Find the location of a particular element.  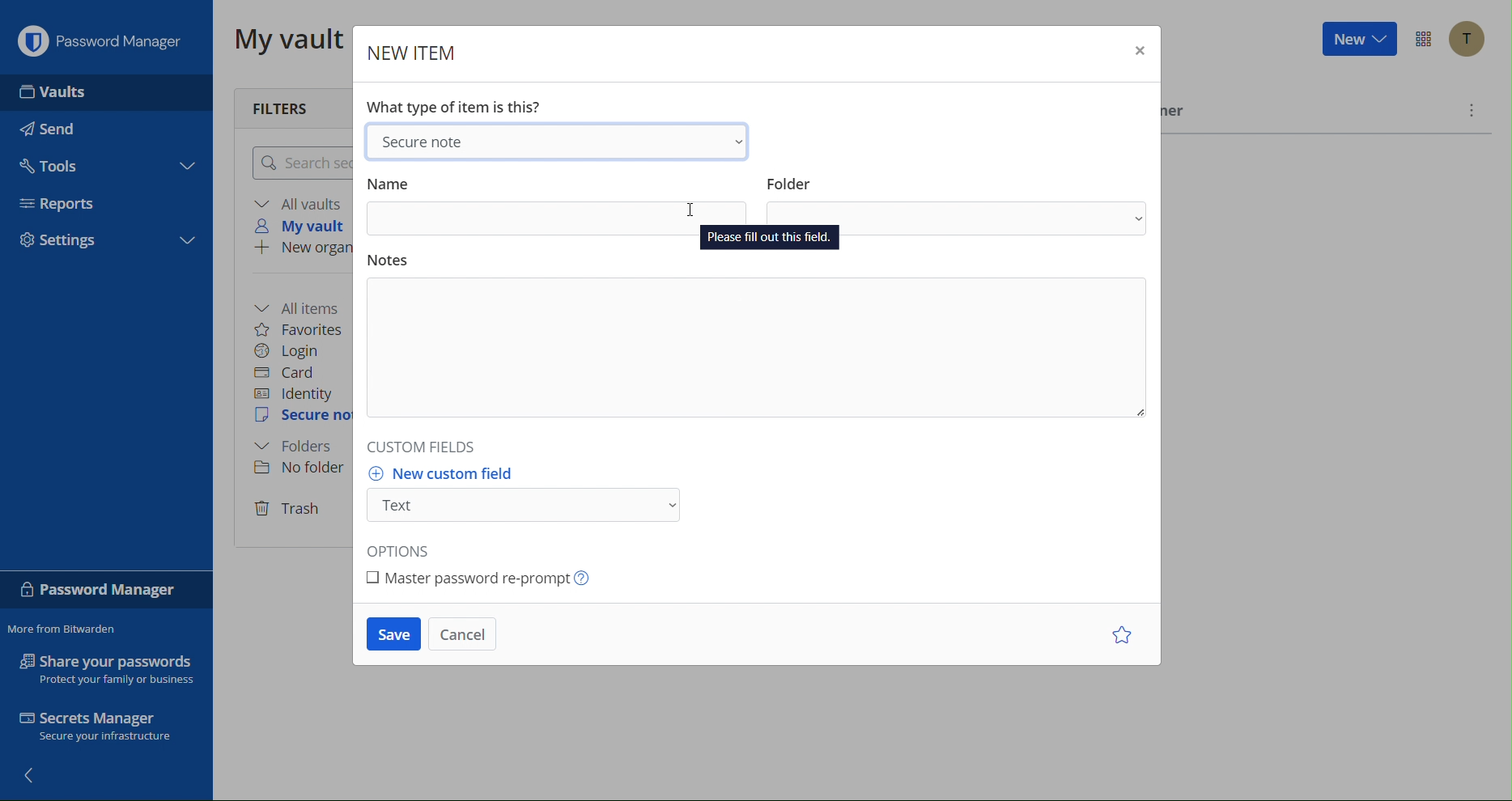

Search logins is located at coordinates (299, 163).